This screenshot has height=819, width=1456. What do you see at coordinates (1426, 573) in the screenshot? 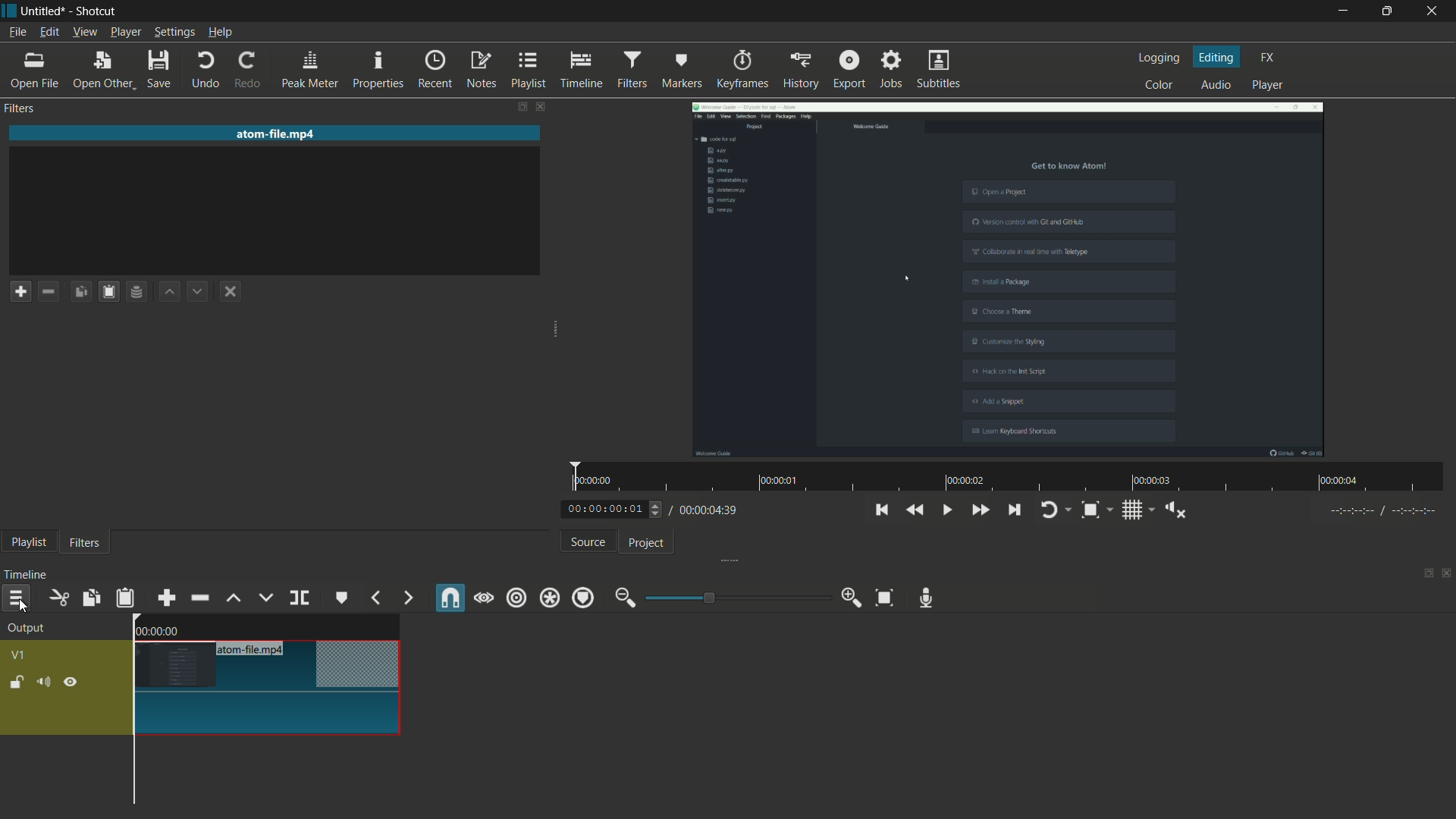
I see `change layout` at bounding box center [1426, 573].